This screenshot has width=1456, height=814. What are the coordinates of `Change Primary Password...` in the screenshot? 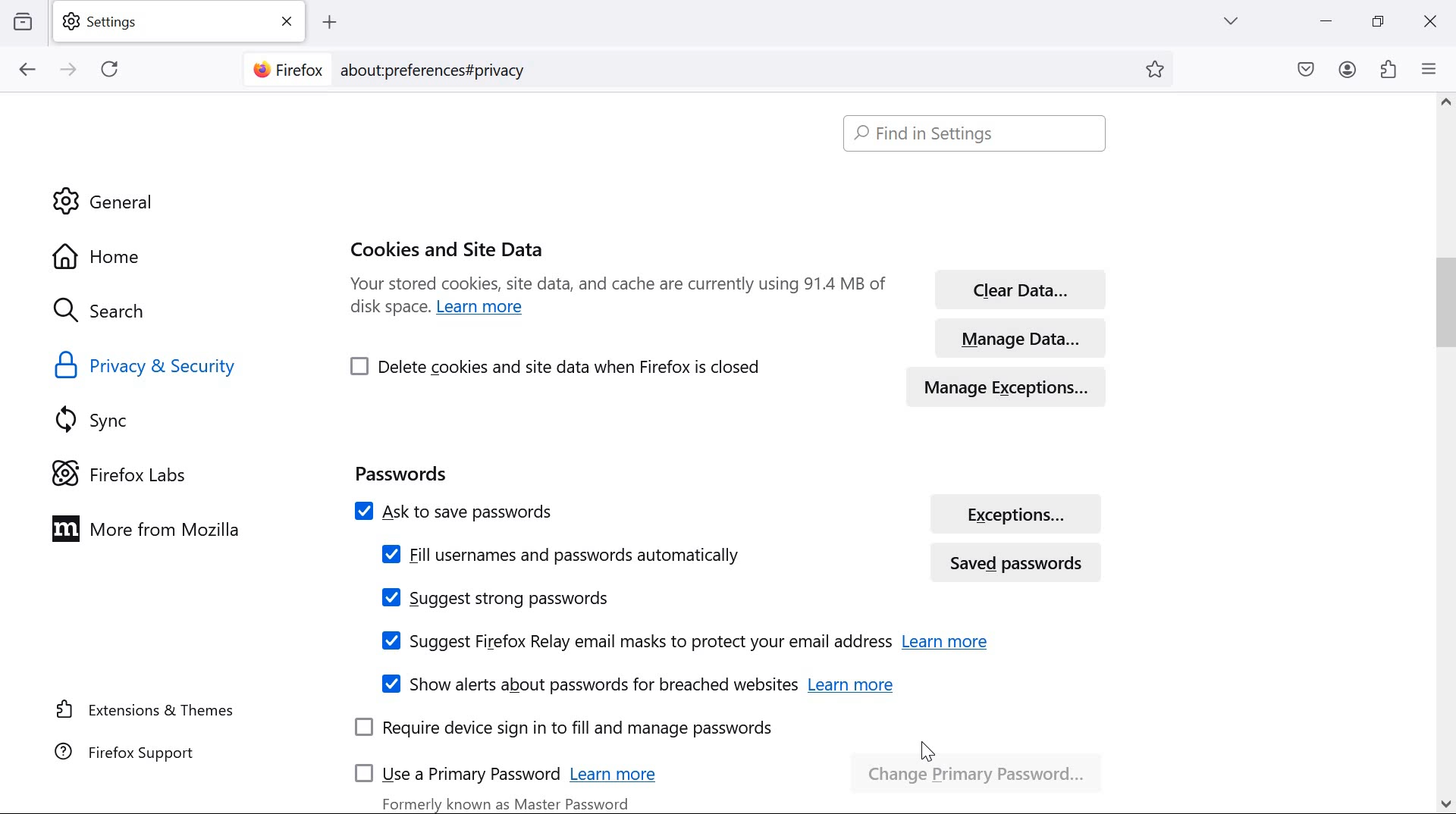 It's located at (981, 768).